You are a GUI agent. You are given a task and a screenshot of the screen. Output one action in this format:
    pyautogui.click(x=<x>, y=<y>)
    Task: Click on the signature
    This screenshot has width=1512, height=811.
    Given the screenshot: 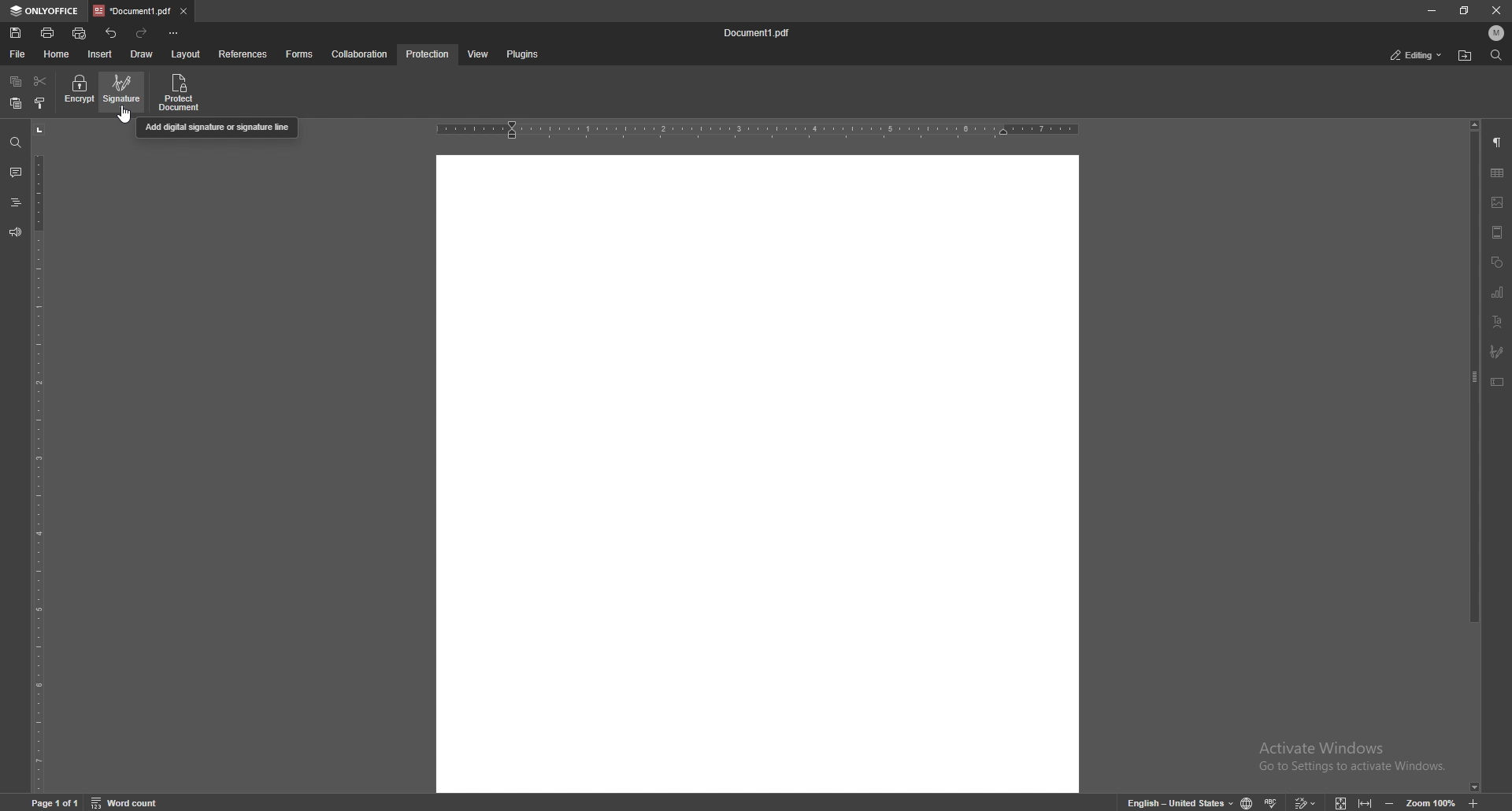 What is the action you would take?
    pyautogui.click(x=1497, y=352)
    